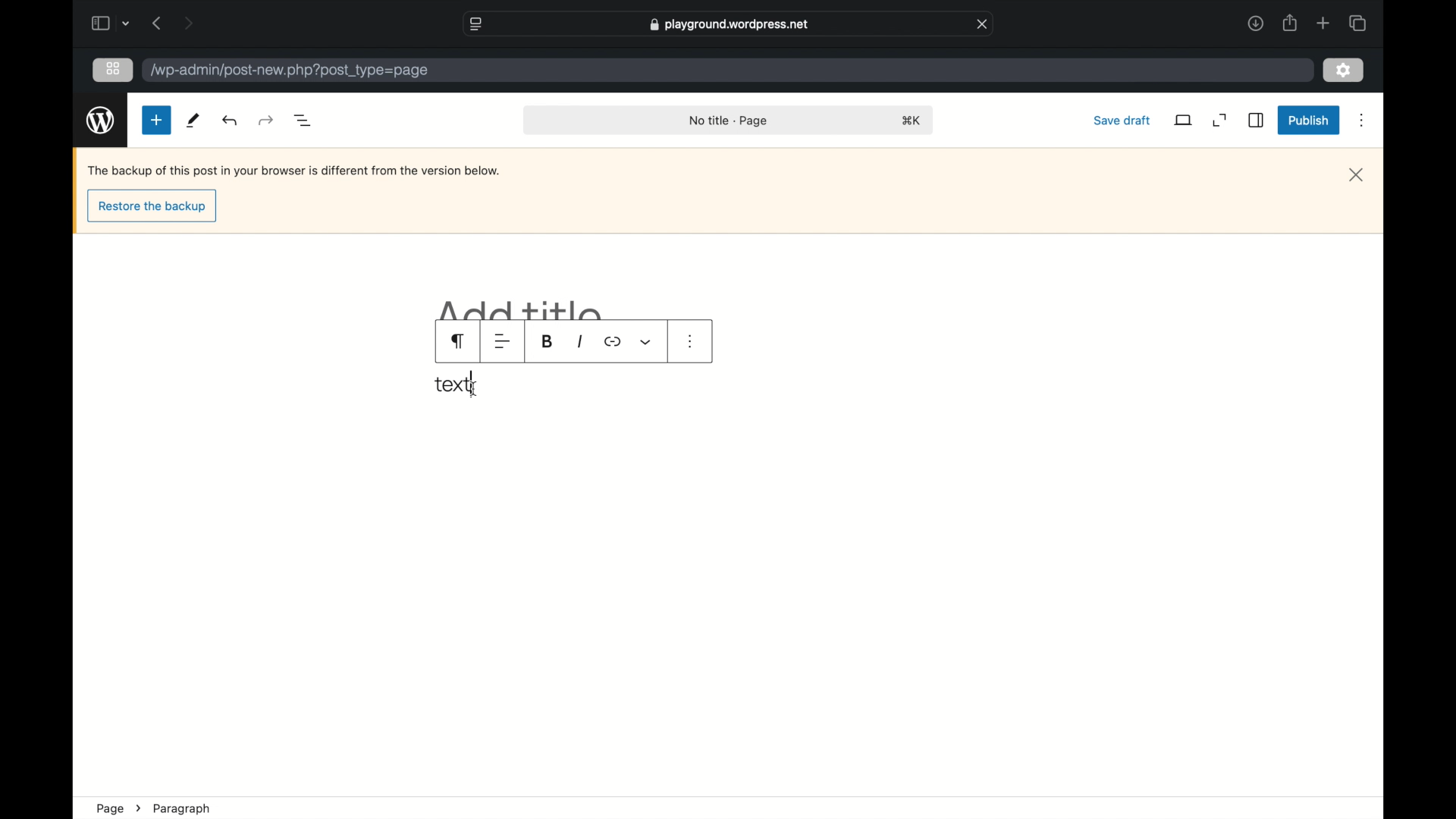  I want to click on I beam cursor, so click(472, 389).